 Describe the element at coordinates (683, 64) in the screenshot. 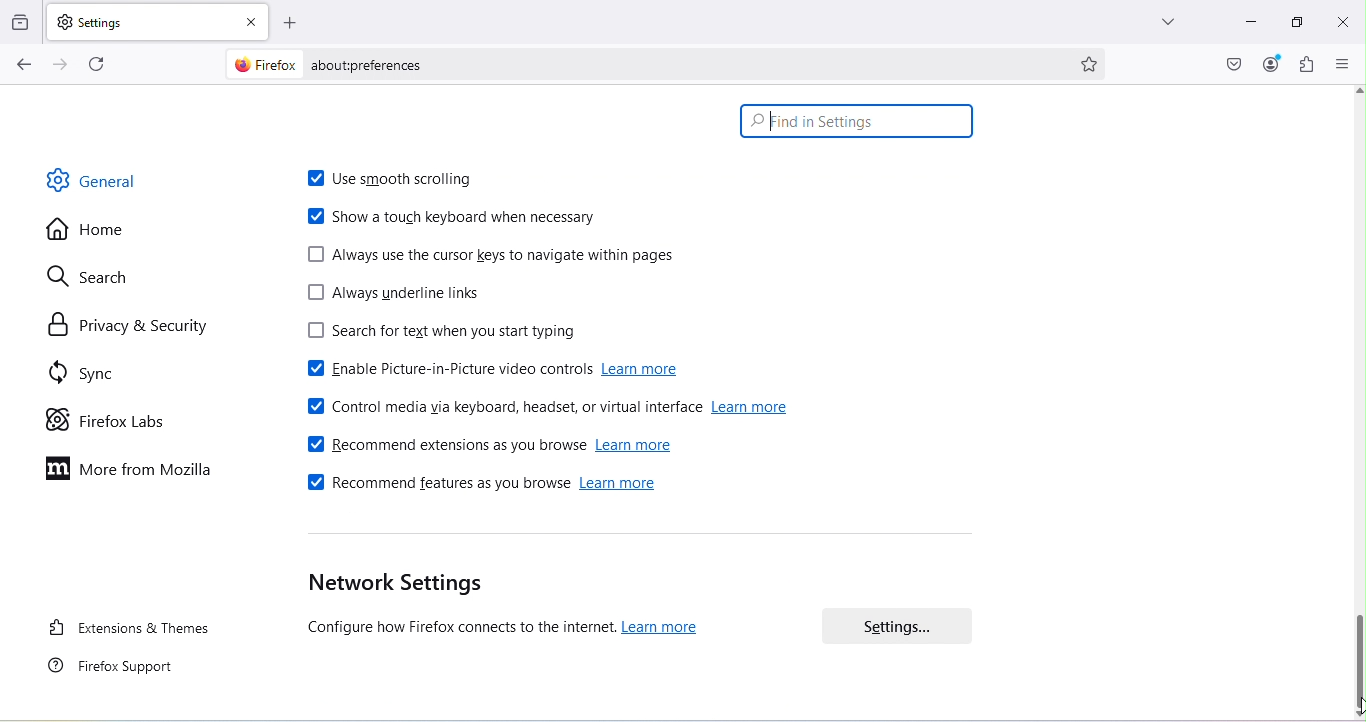

I see `Address bar` at that location.